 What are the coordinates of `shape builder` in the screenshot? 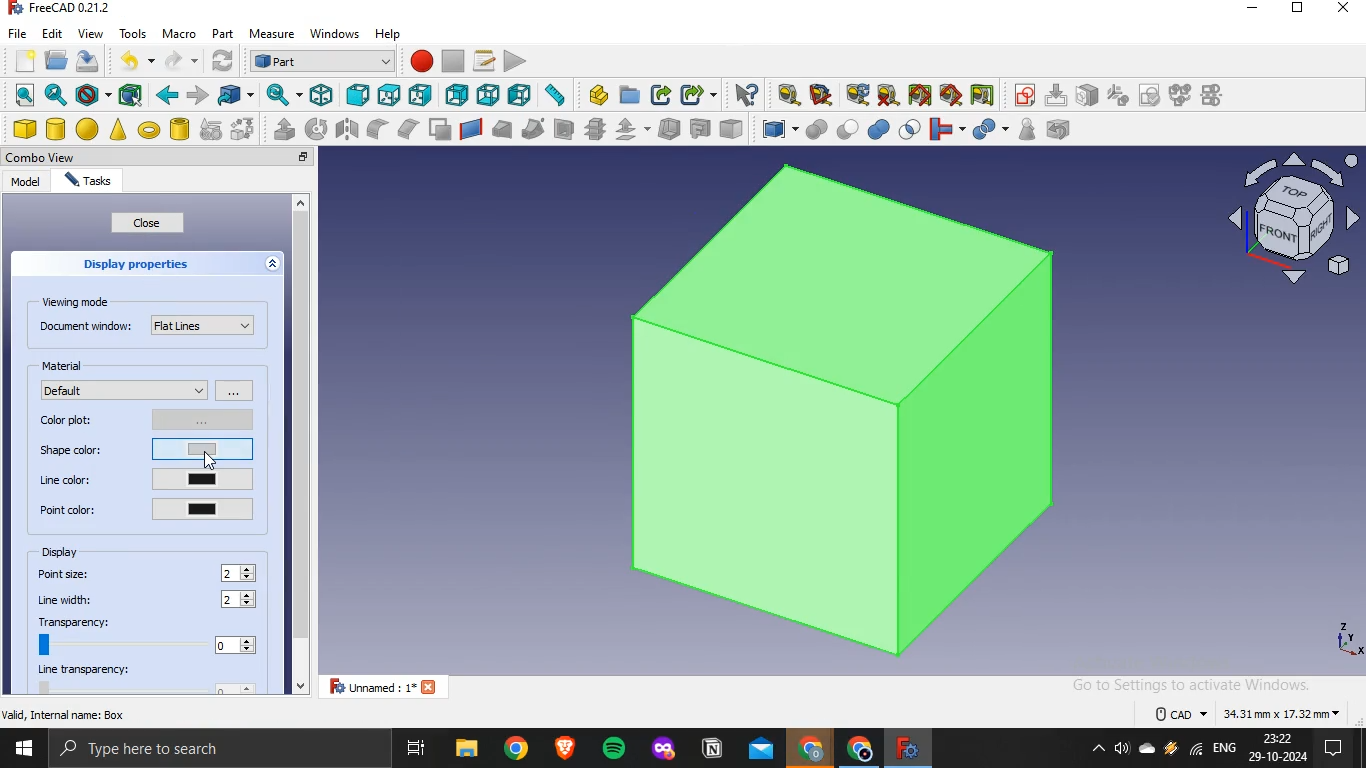 It's located at (243, 128).